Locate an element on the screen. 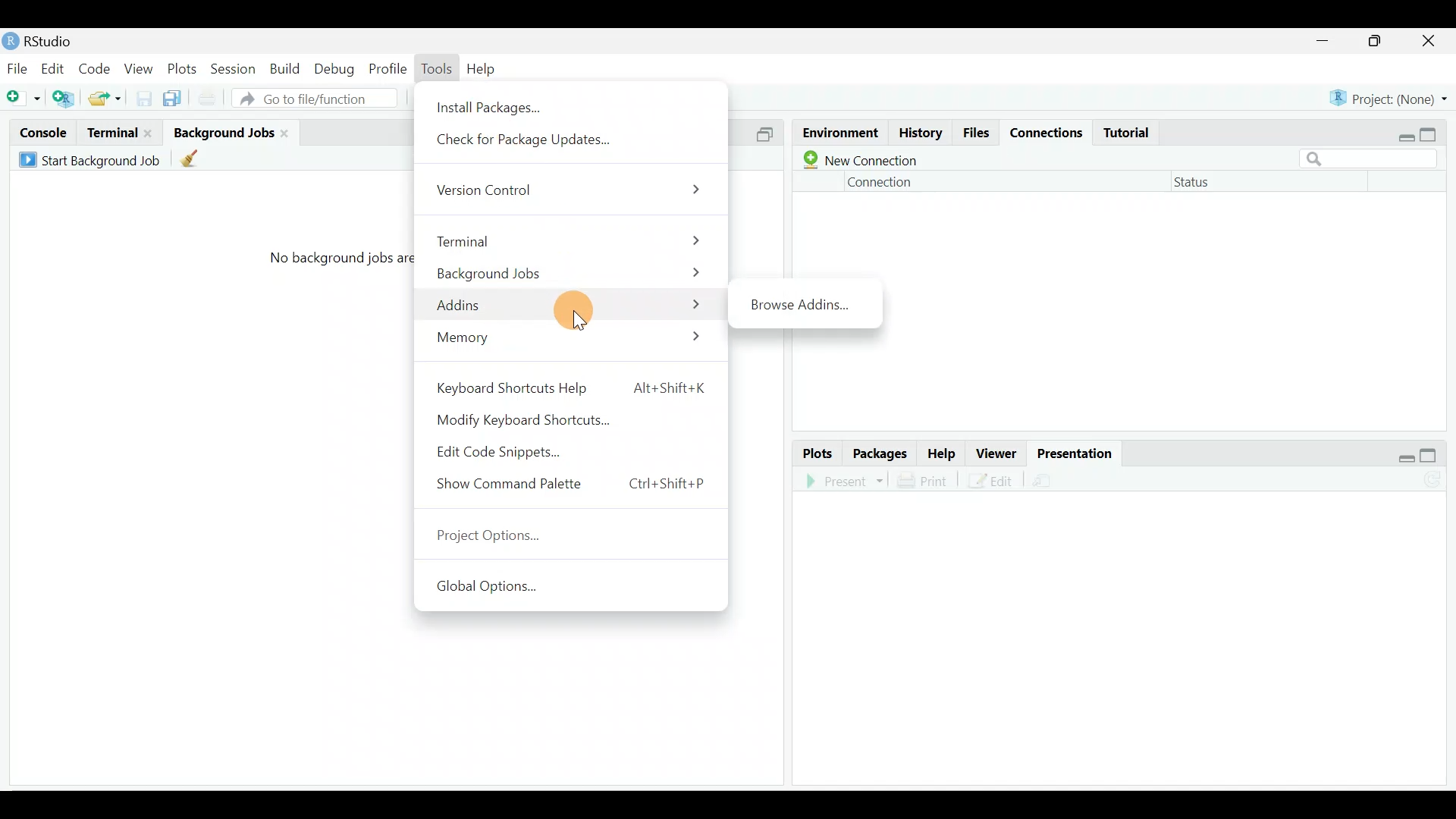 The height and width of the screenshot is (819, 1456). Terminal > is located at coordinates (570, 239).